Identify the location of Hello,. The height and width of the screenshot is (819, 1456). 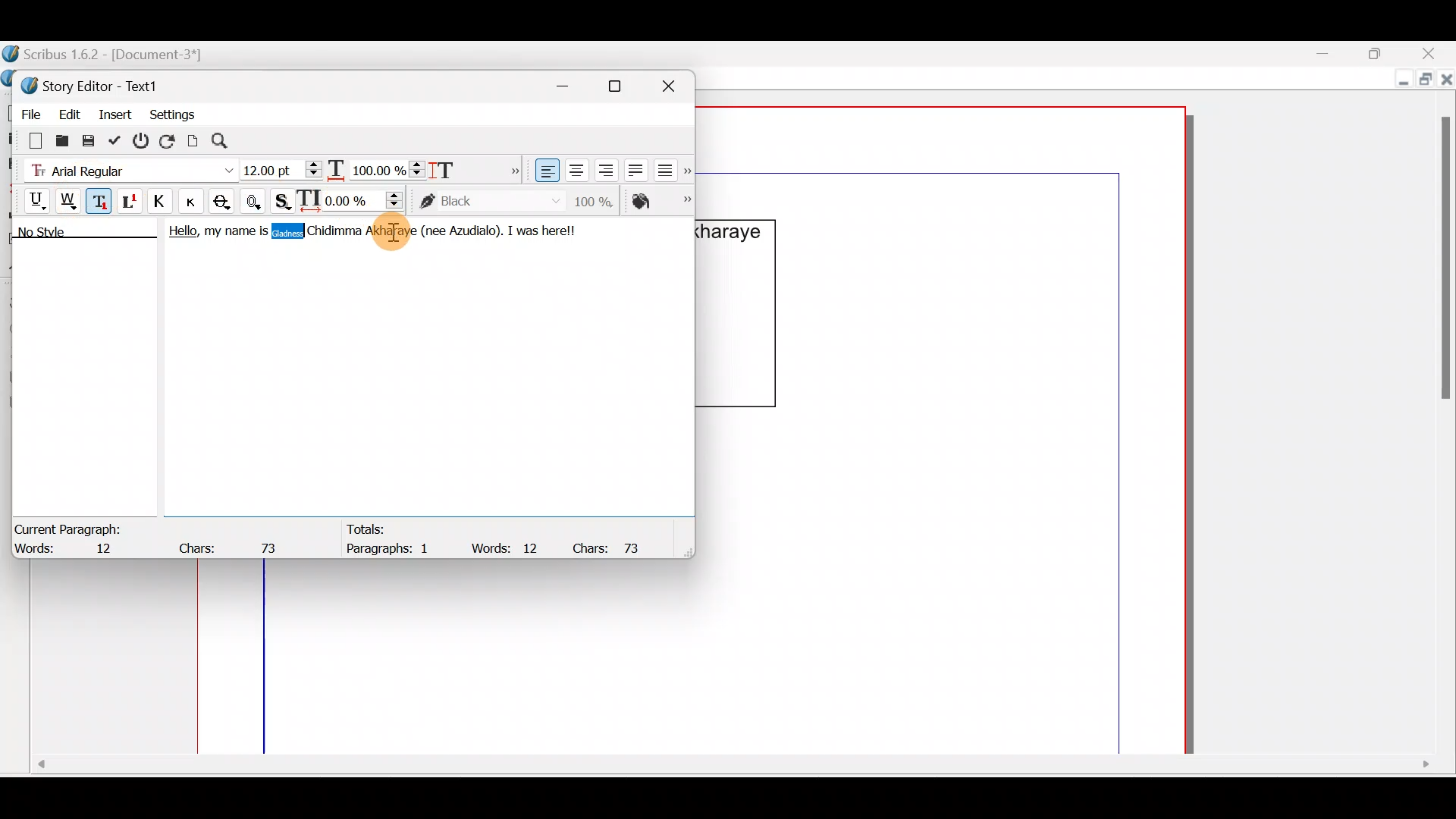
(179, 234).